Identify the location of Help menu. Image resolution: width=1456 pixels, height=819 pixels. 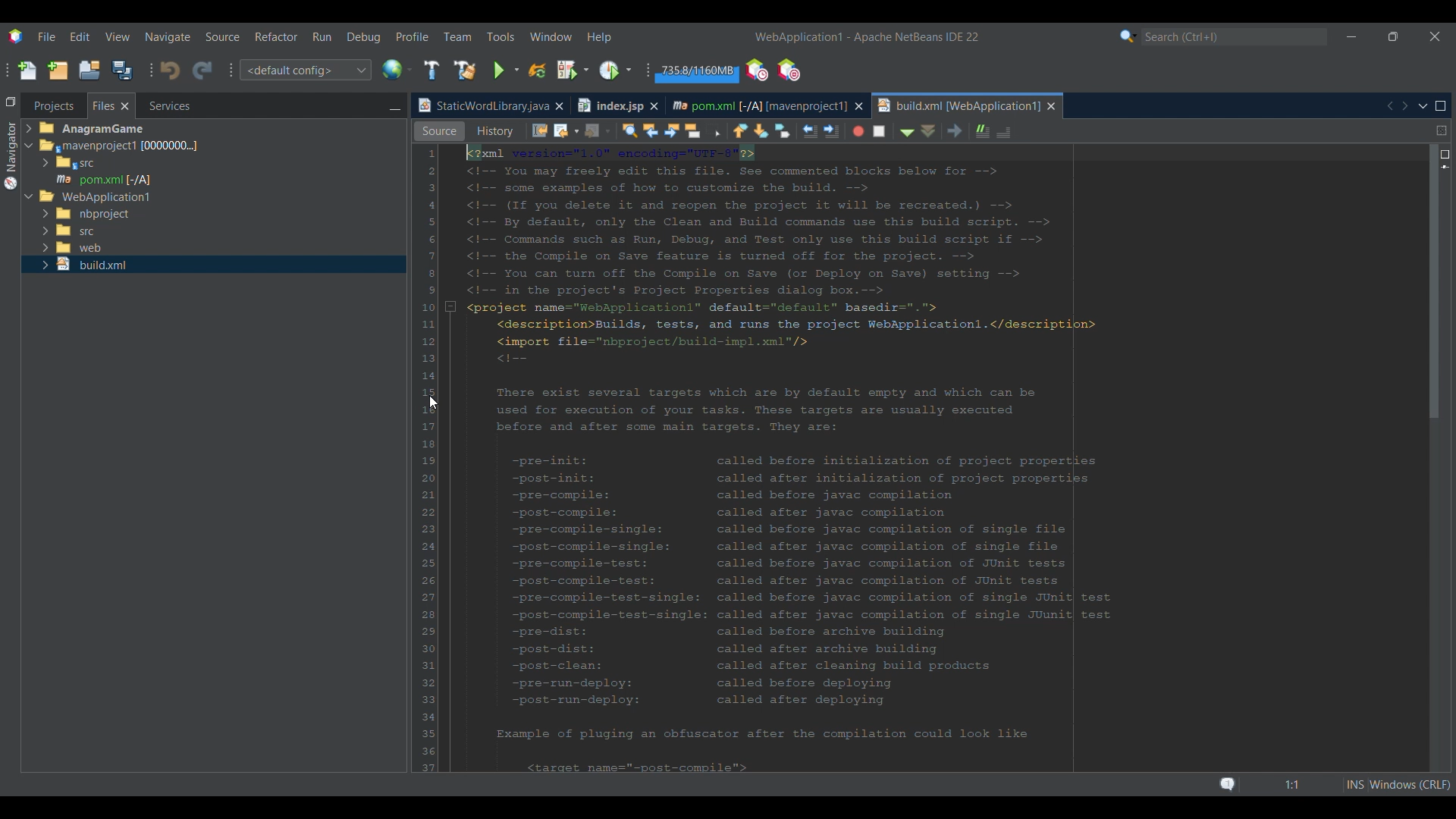
(598, 38).